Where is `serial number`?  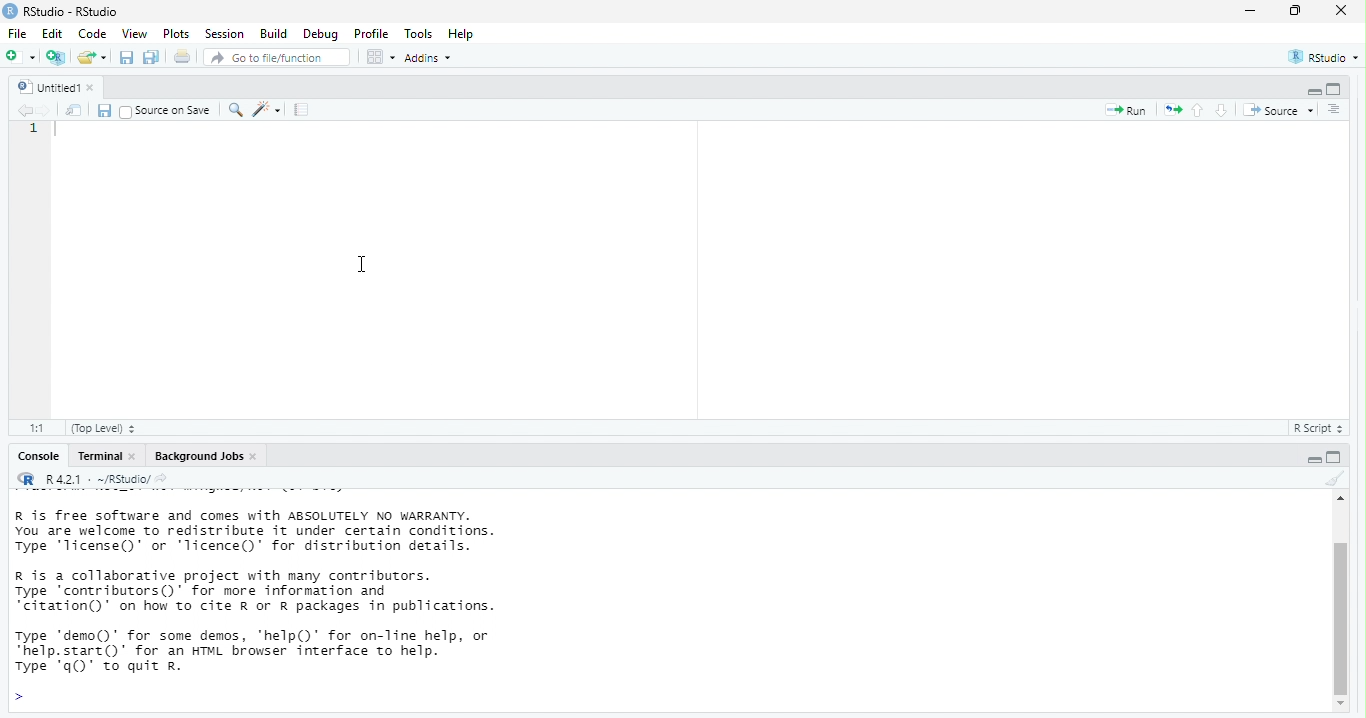 serial number is located at coordinates (34, 135).